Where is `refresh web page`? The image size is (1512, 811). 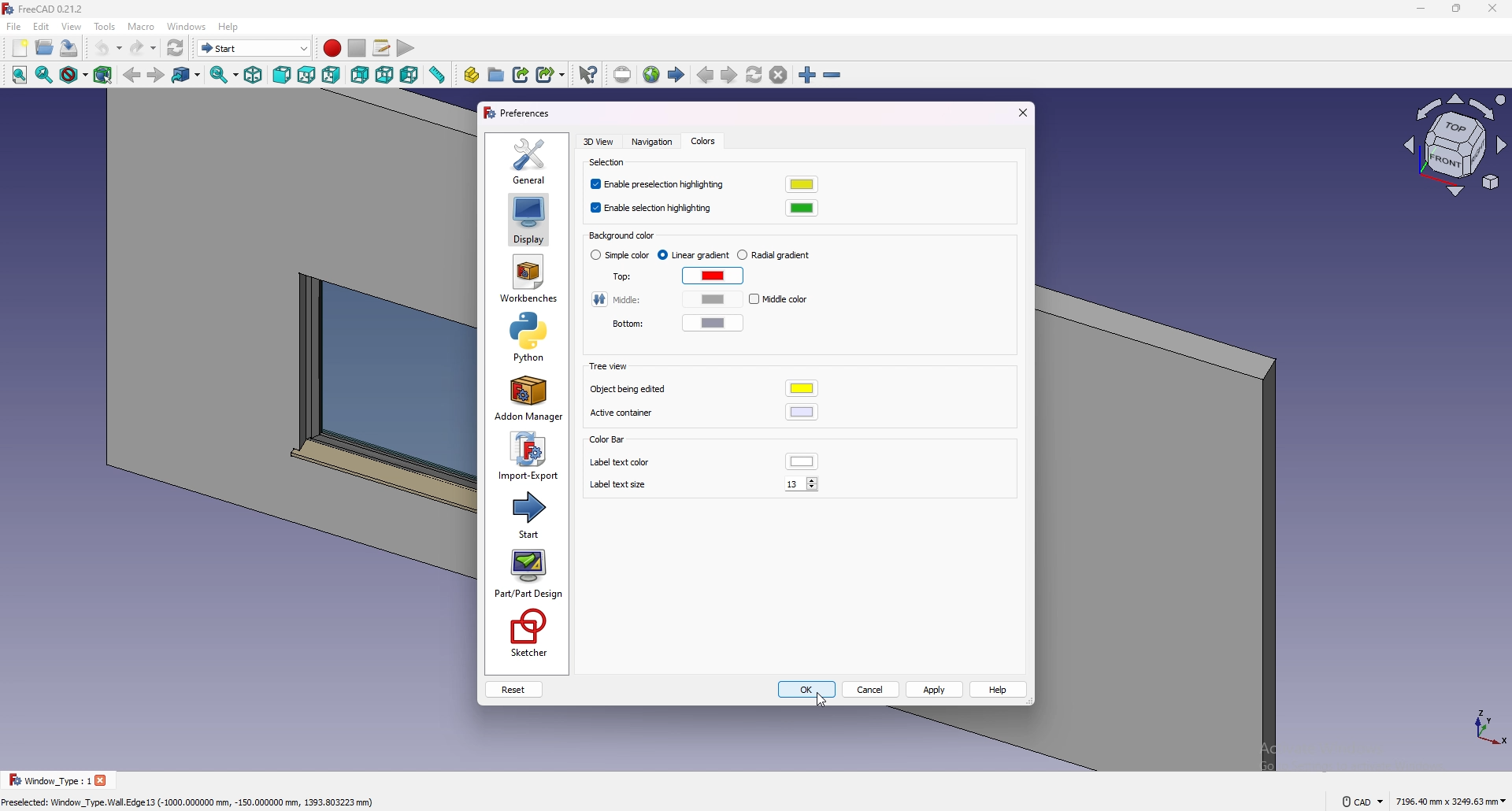
refresh web page is located at coordinates (755, 75).